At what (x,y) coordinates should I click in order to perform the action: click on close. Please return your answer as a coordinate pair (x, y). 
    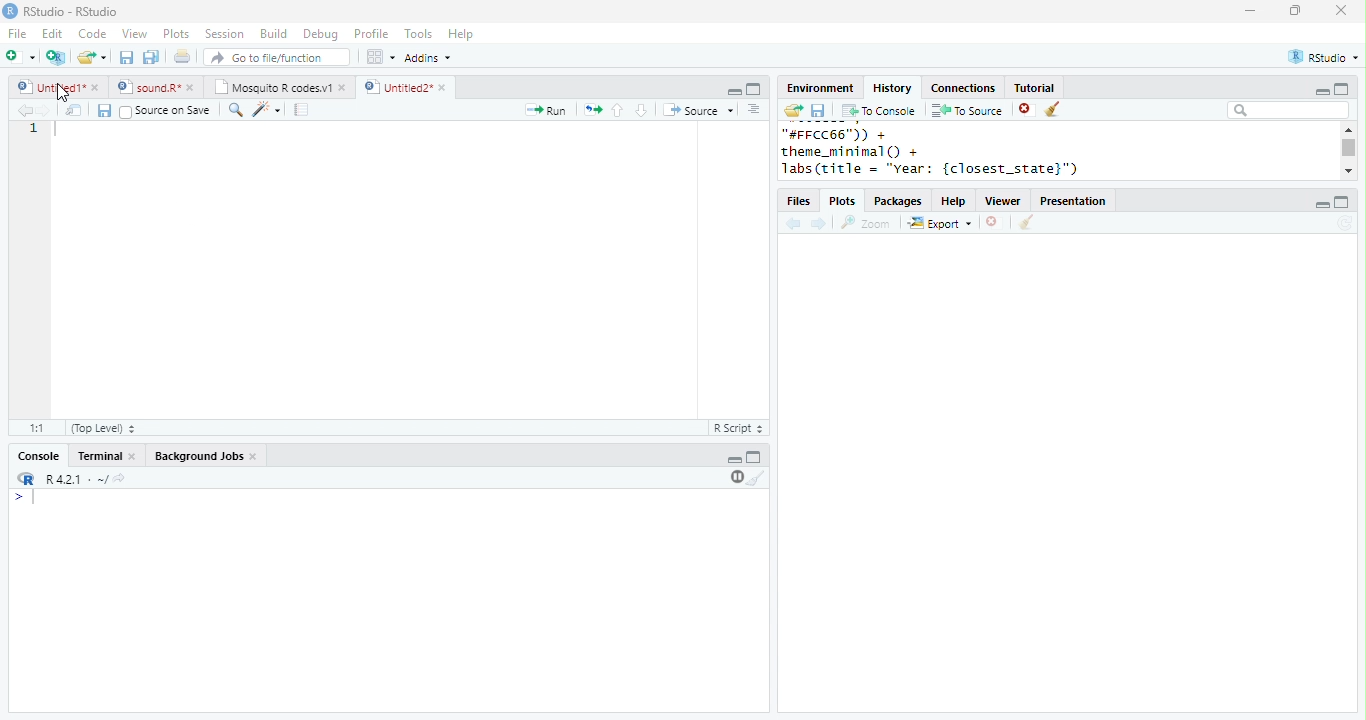
    Looking at the image, I should click on (134, 457).